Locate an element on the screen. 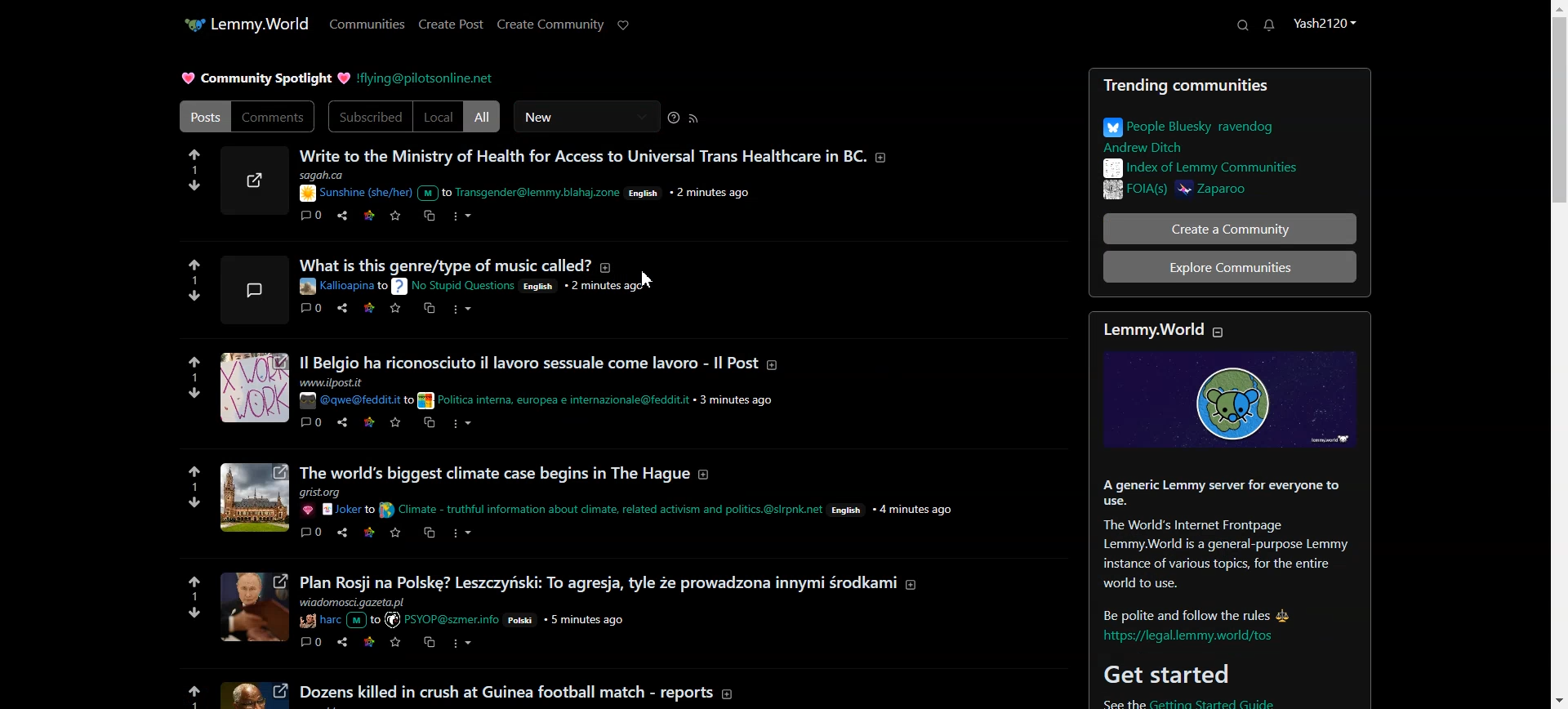  comment is located at coordinates (310, 309).